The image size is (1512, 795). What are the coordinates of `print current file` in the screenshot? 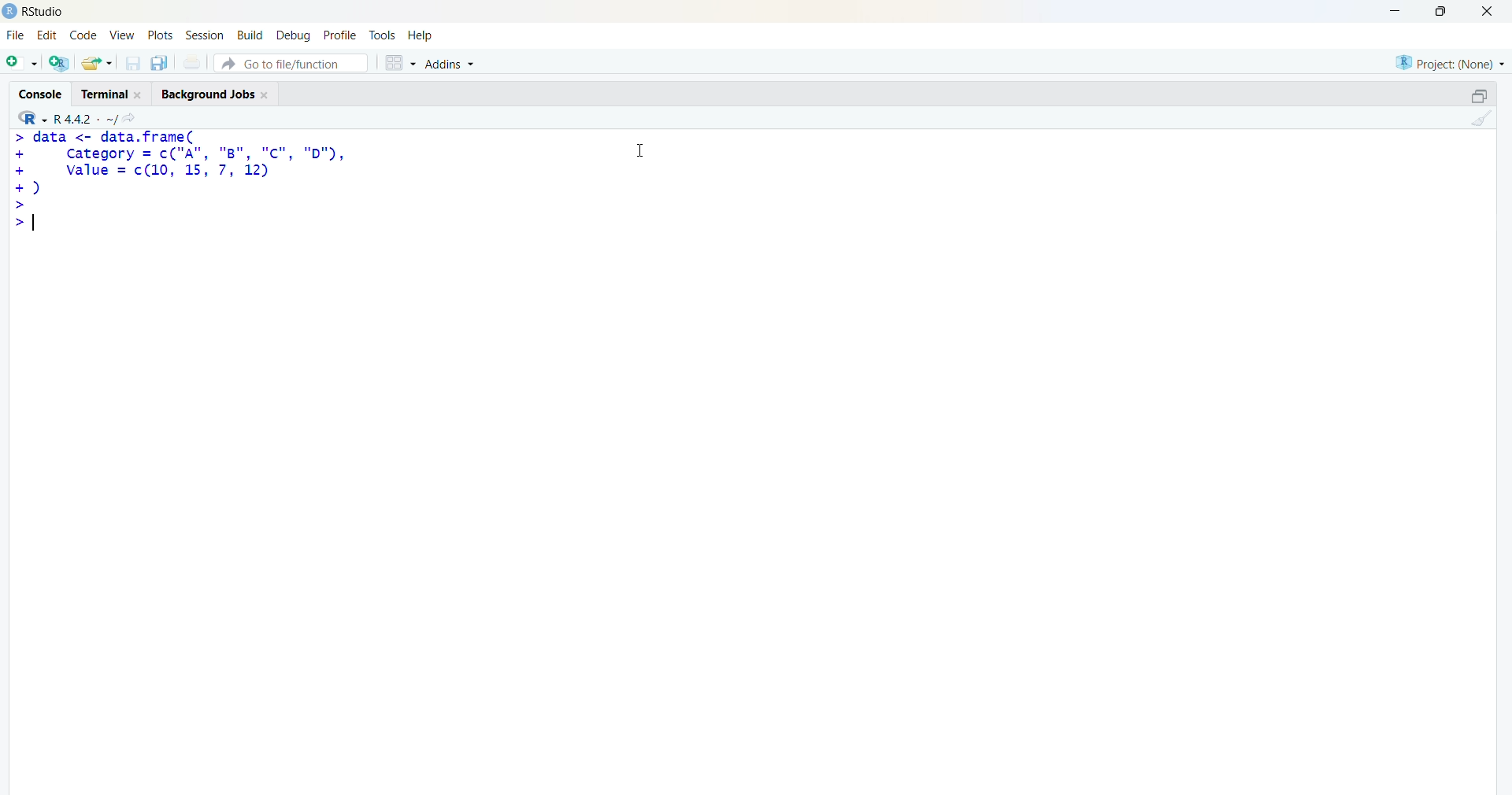 It's located at (190, 62).